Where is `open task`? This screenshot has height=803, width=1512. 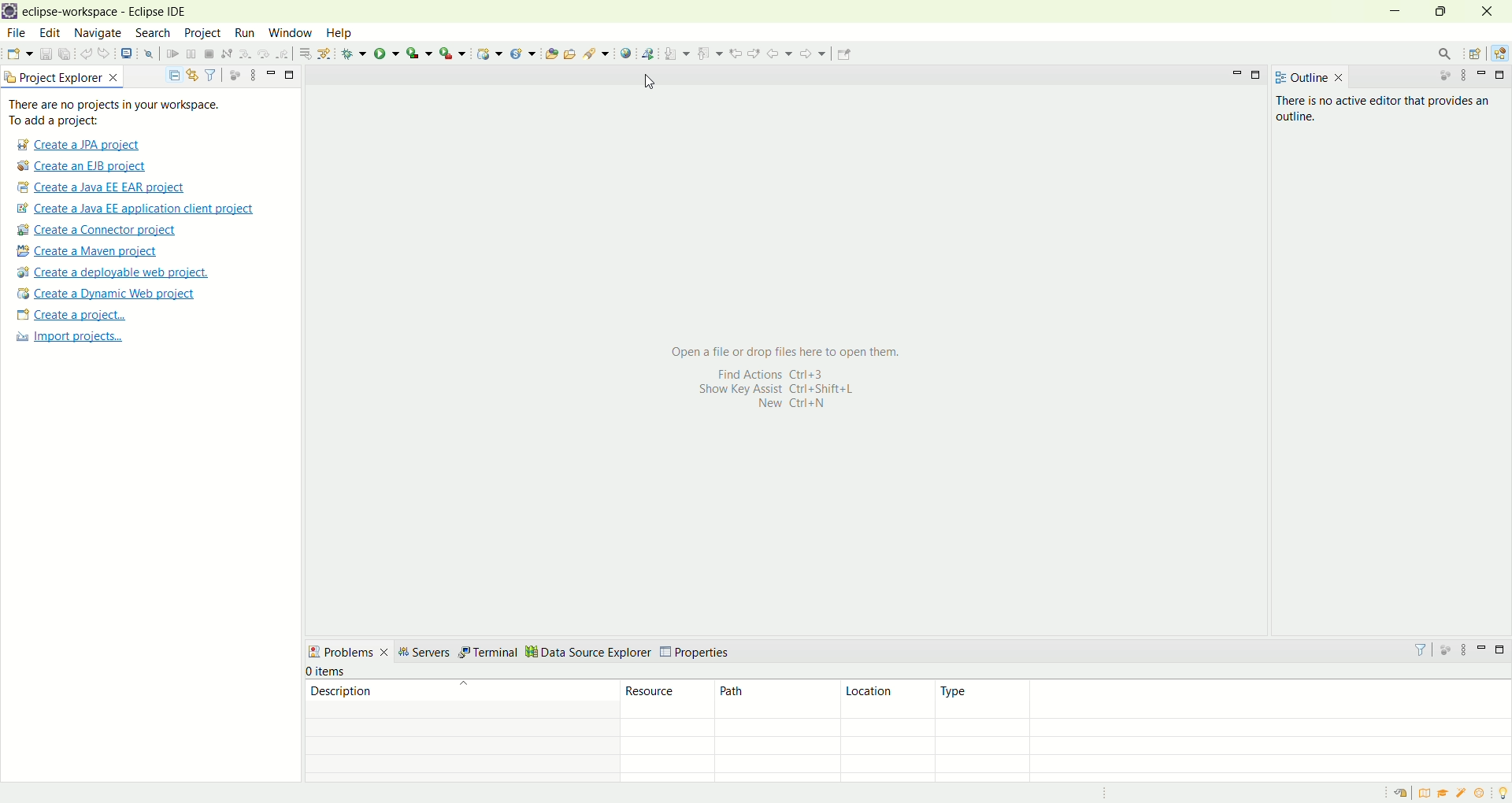
open task is located at coordinates (569, 52).